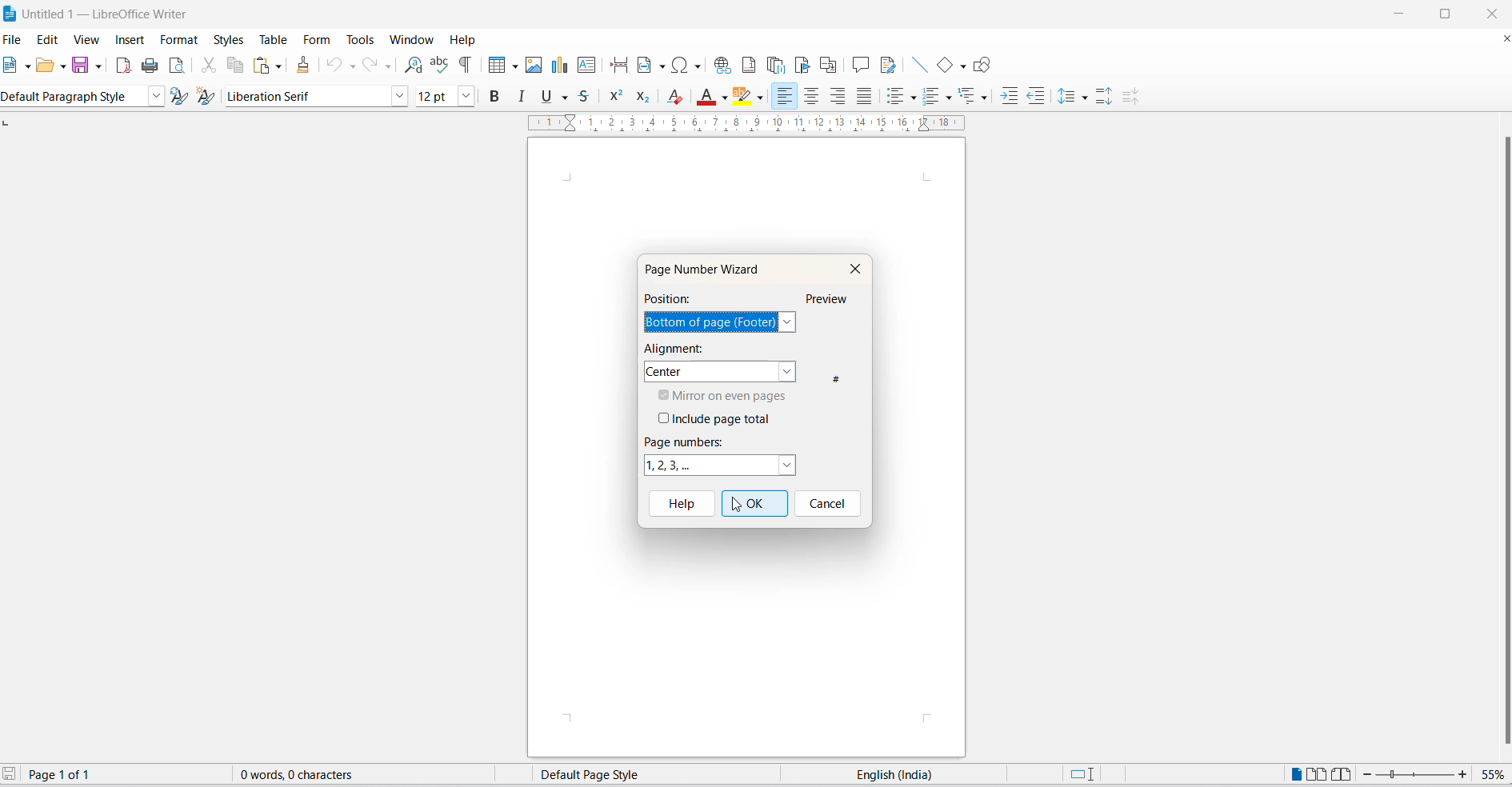 The height and width of the screenshot is (787, 1512). What do you see at coordinates (1445, 15) in the screenshot?
I see `maximize` at bounding box center [1445, 15].